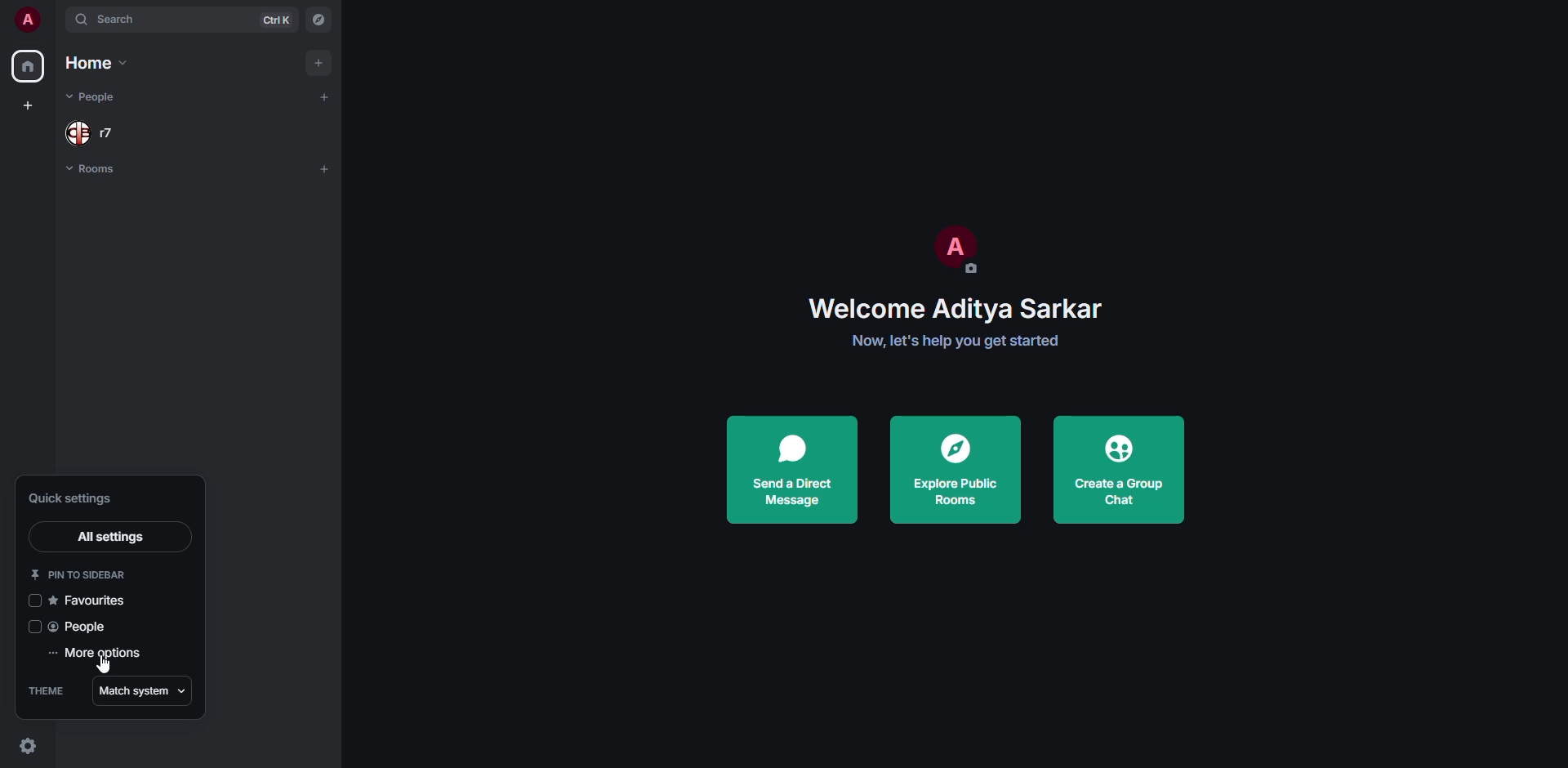  Describe the element at coordinates (958, 471) in the screenshot. I see `explore public rooms` at that location.